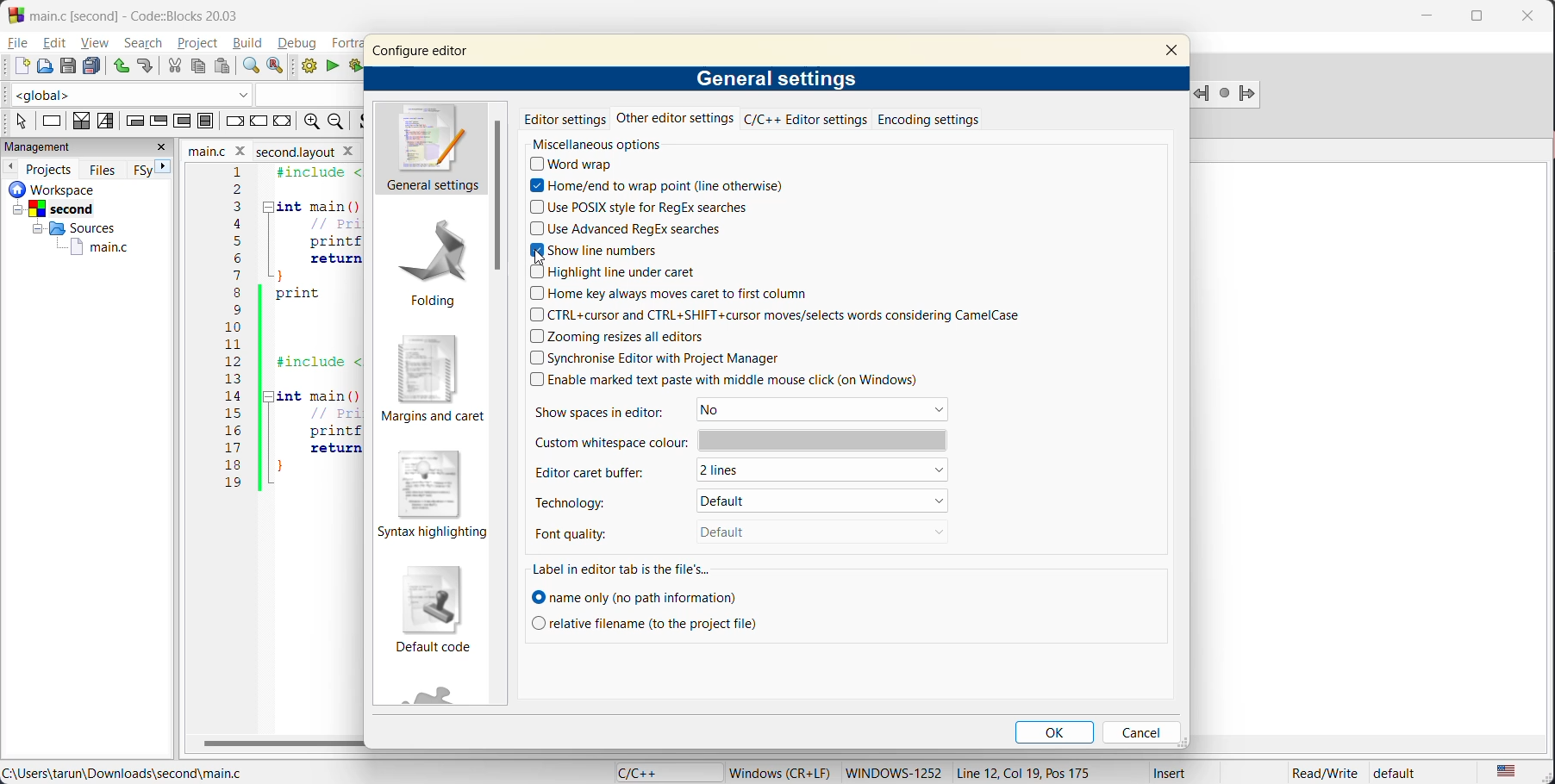 This screenshot has width=1555, height=784. What do you see at coordinates (740, 381) in the screenshot?
I see `enable marked text paste with middle mouse click` at bounding box center [740, 381].